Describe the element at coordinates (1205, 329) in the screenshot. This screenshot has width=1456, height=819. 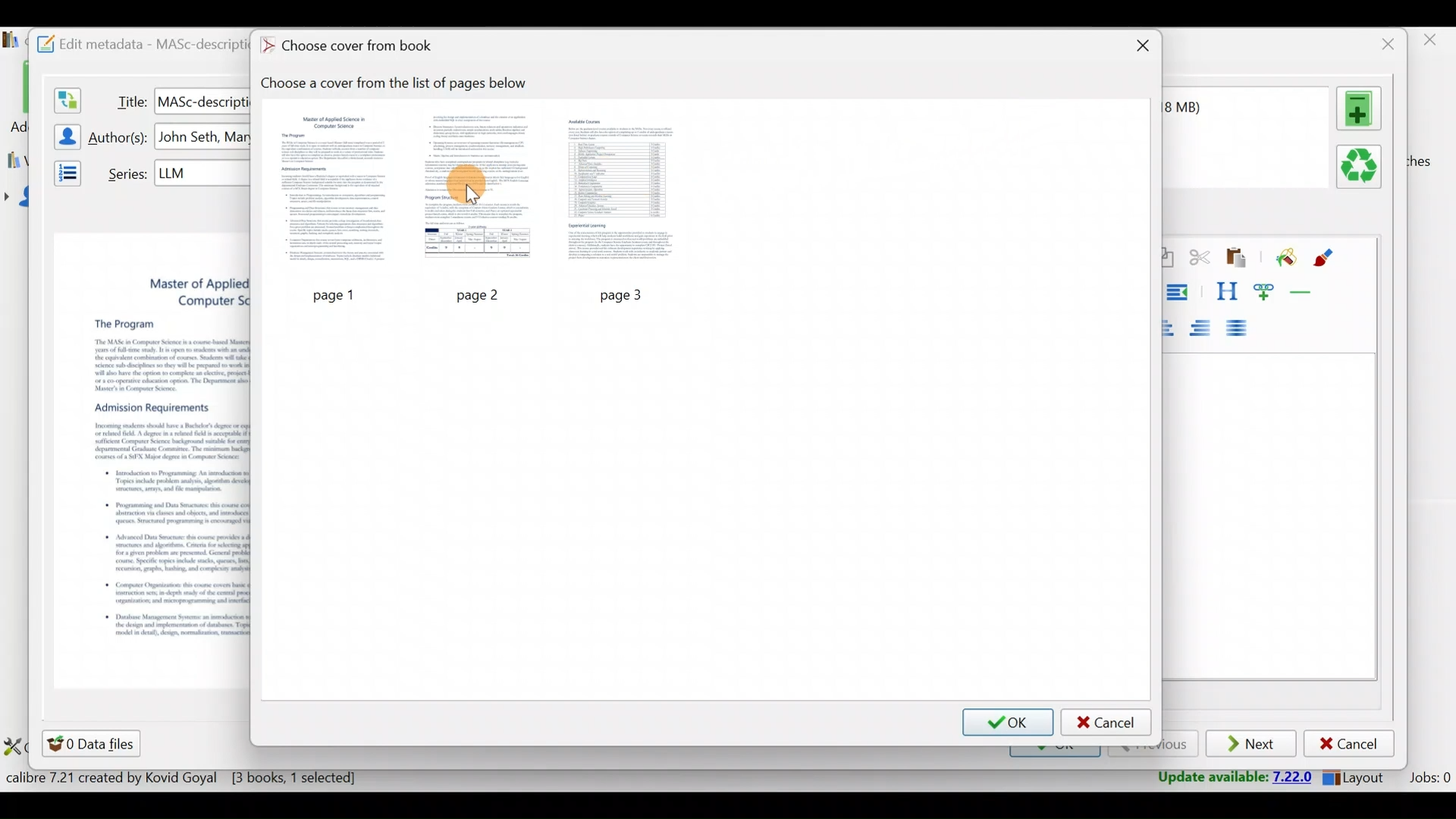
I see `Align right` at that location.